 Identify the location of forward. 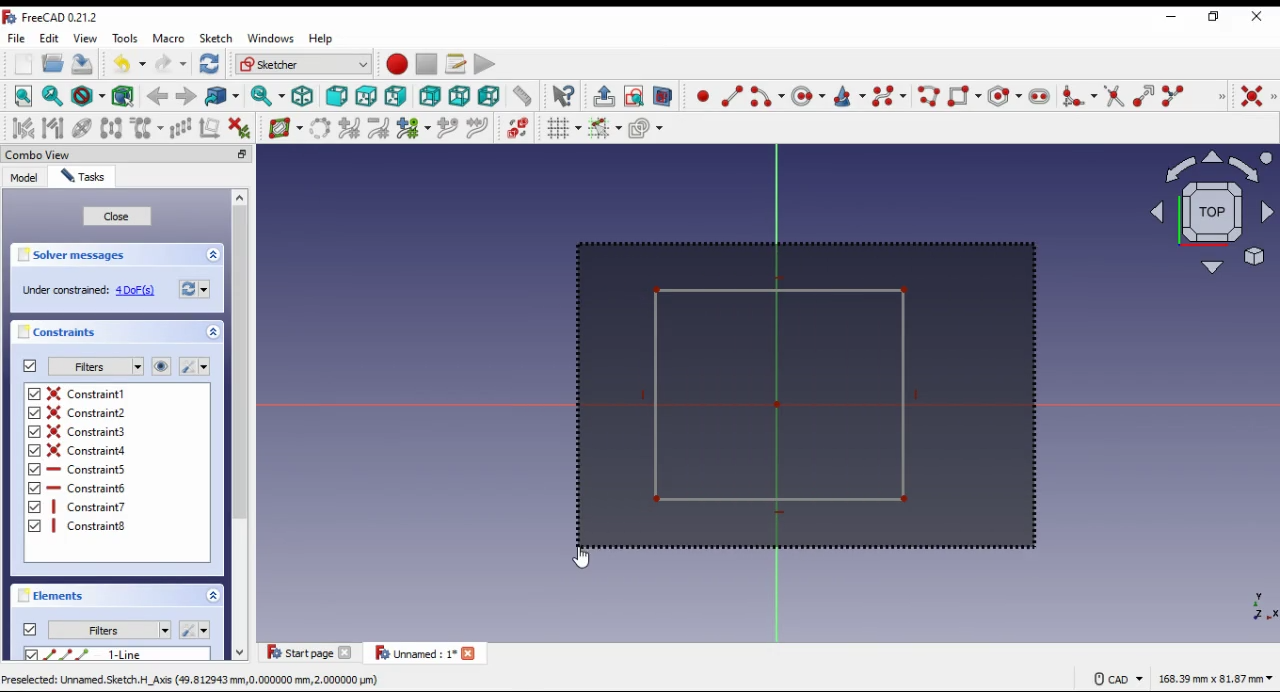
(186, 97).